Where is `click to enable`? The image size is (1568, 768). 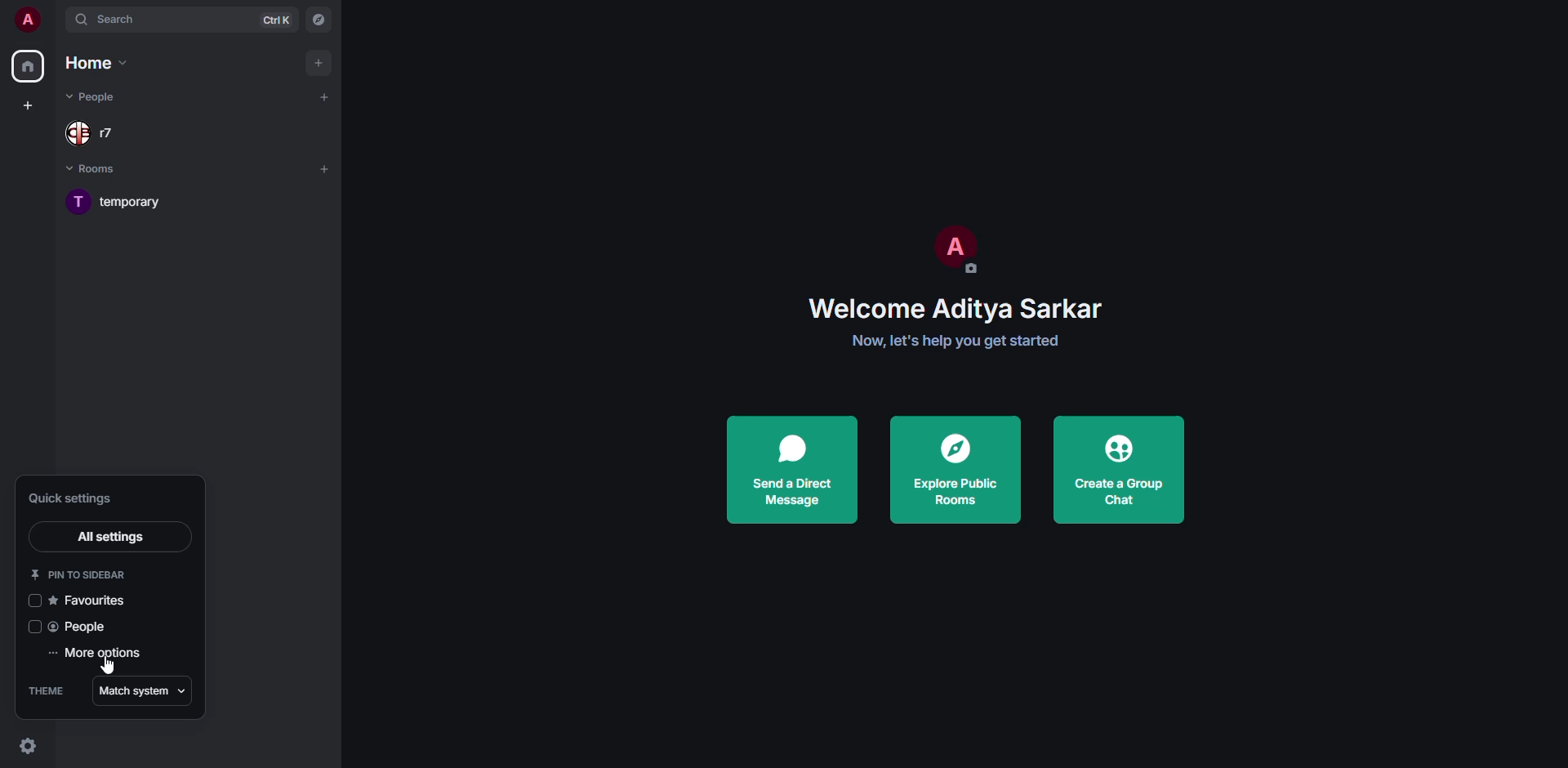 click to enable is located at coordinates (30, 627).